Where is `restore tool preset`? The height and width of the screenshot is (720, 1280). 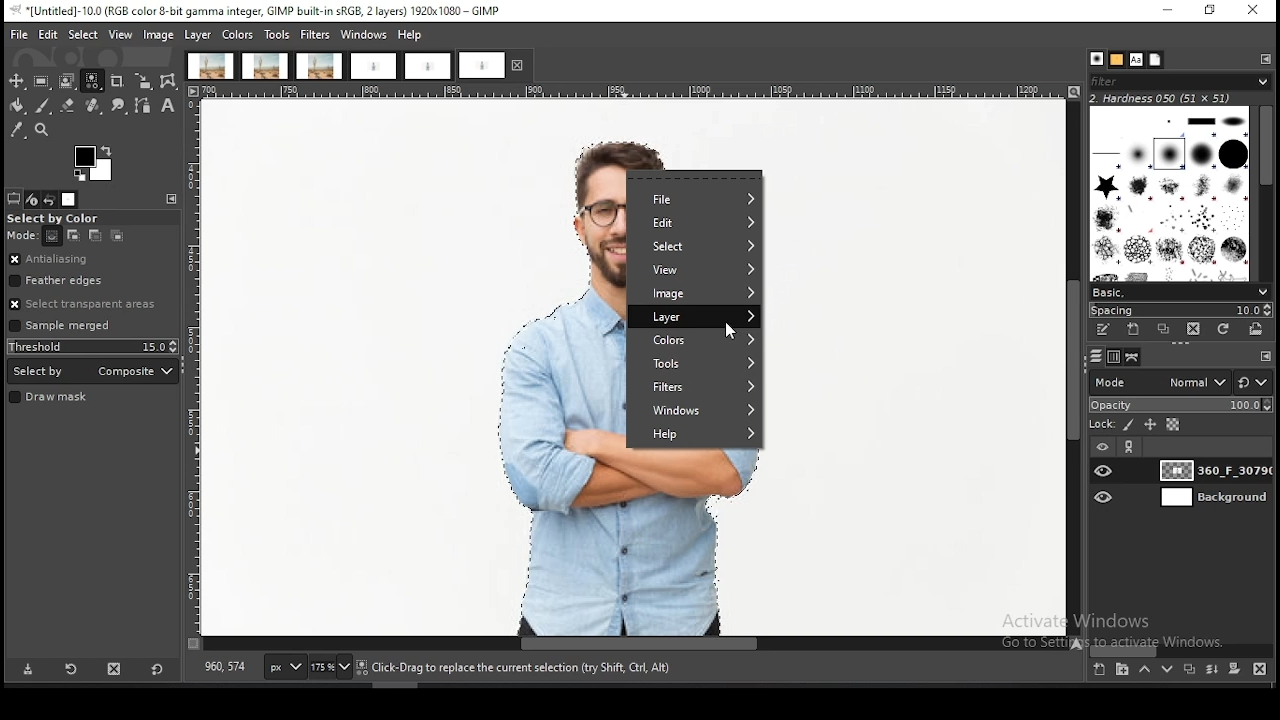 restore tool preset is located at coordinates (73, 668).